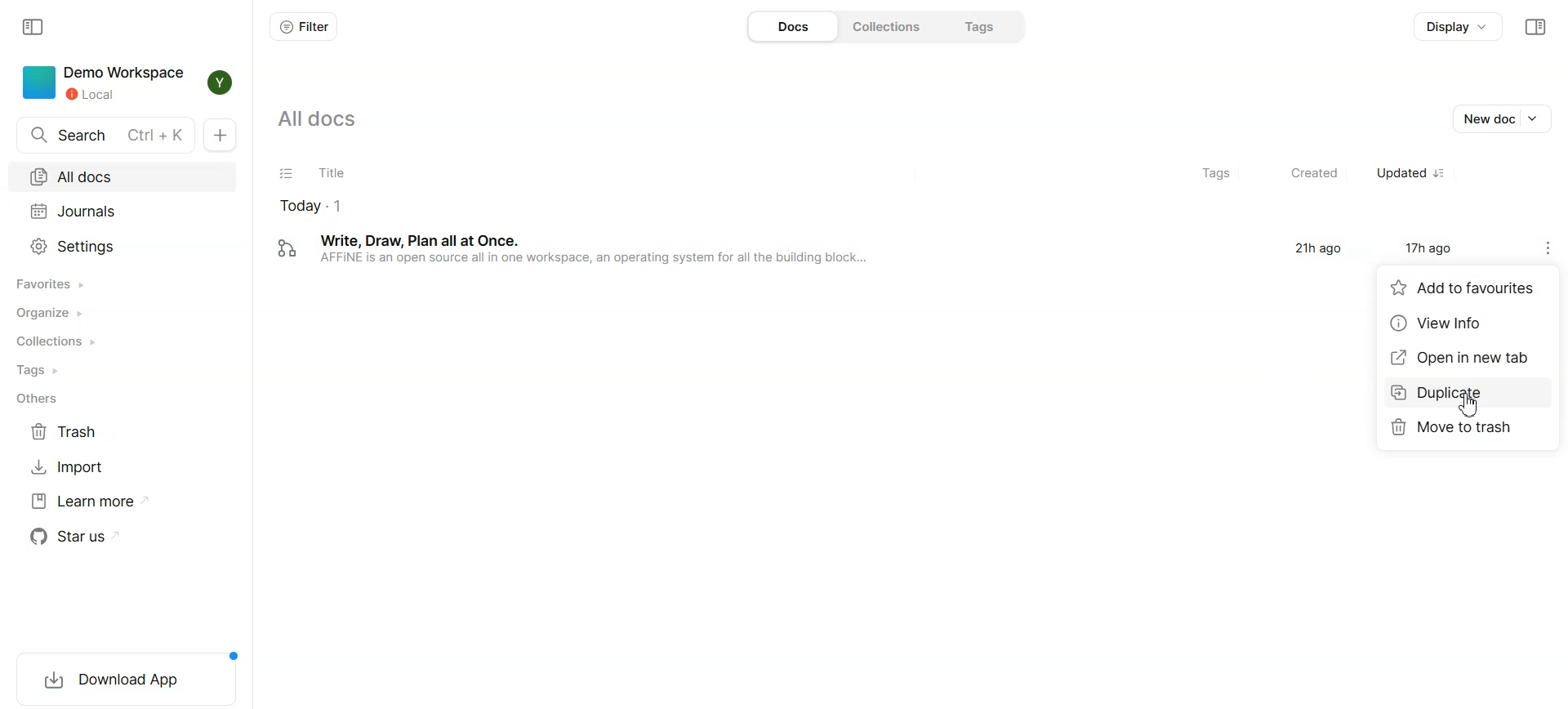 The width and height of the screenshot is (1568, 709). I want to click on Tags, so click(123, 371).